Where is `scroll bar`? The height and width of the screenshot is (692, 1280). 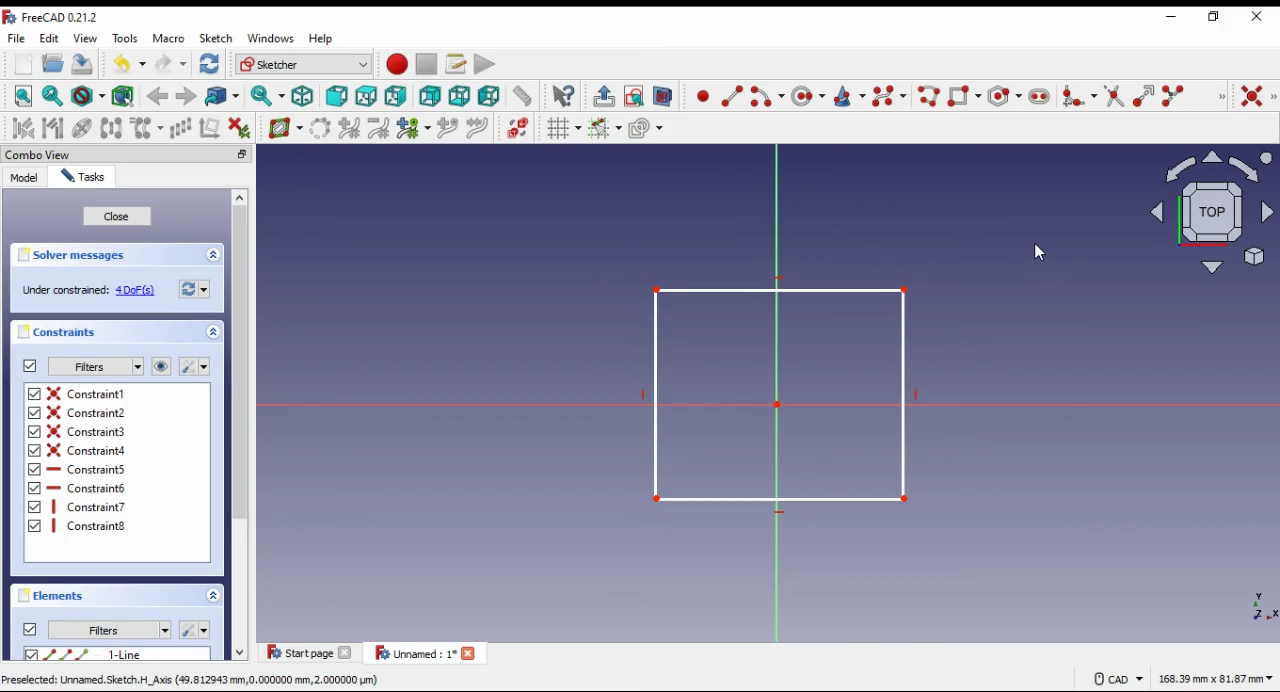 scroll bar is located at coordinates (242, 426).